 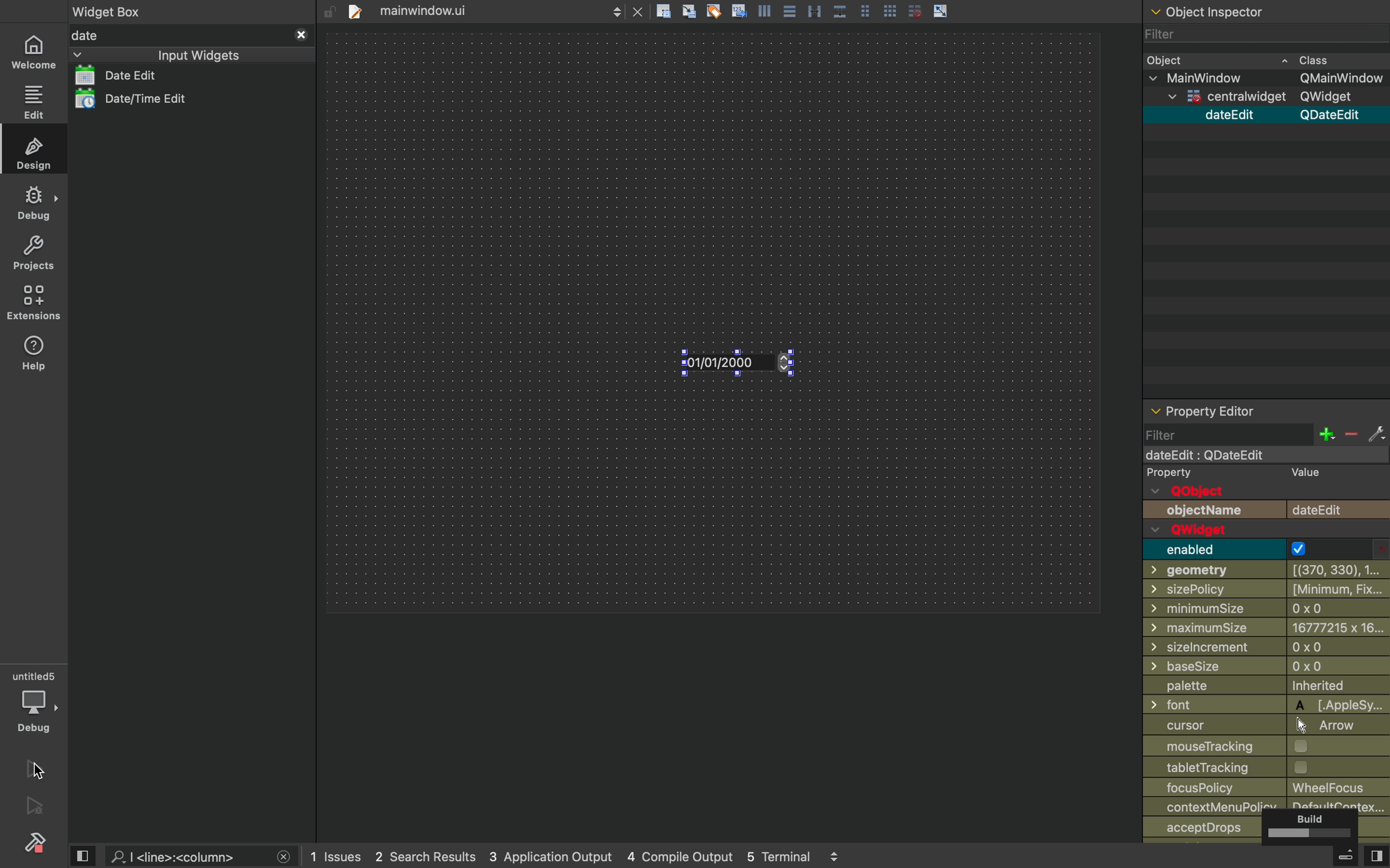 I want to click on filter, so click(x=1226, y=434).